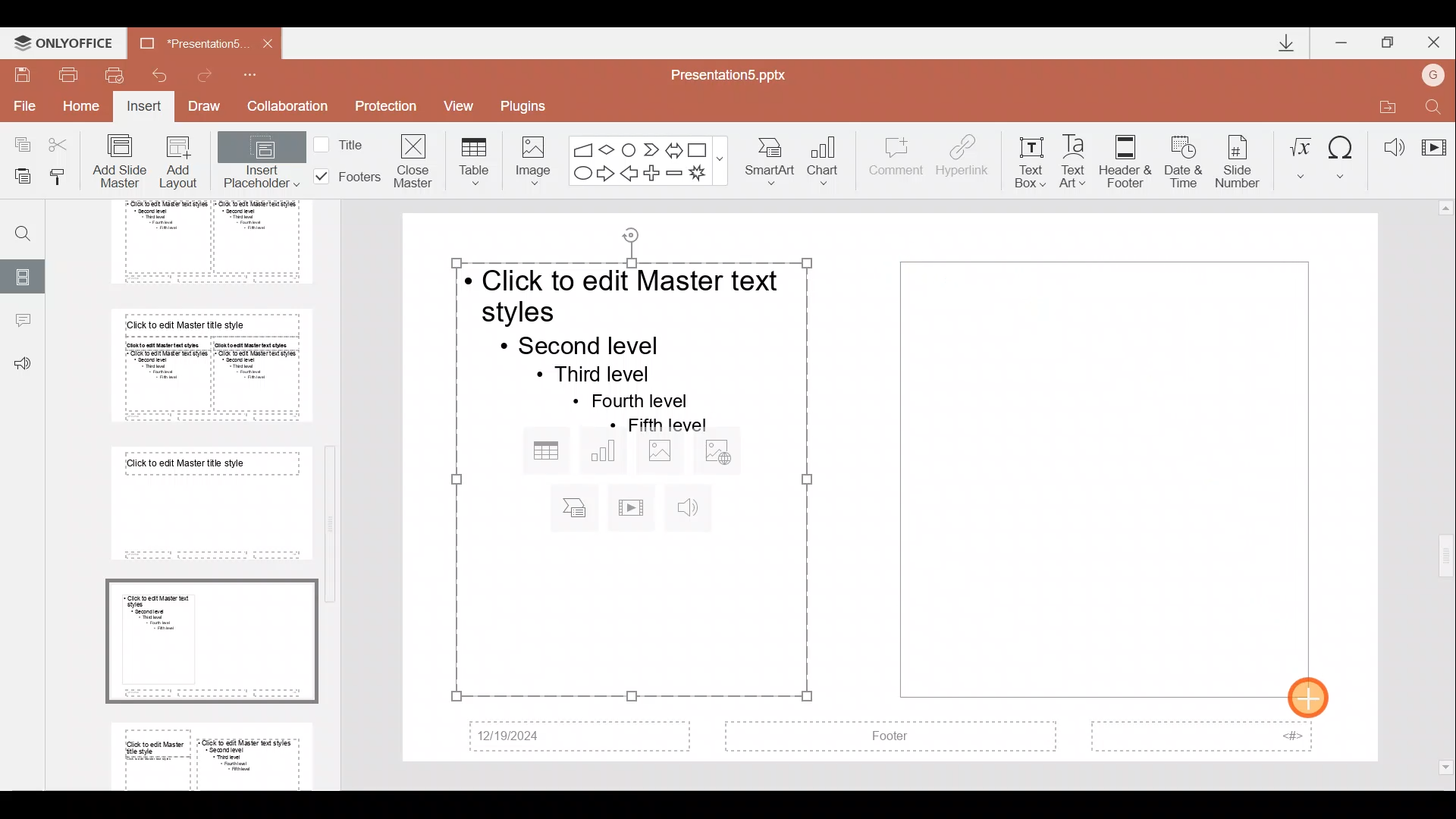 This screenshot has width=1456, height=819. Describe the element at coordinates (464, 105) in the screenshot. I see `View` at that location.